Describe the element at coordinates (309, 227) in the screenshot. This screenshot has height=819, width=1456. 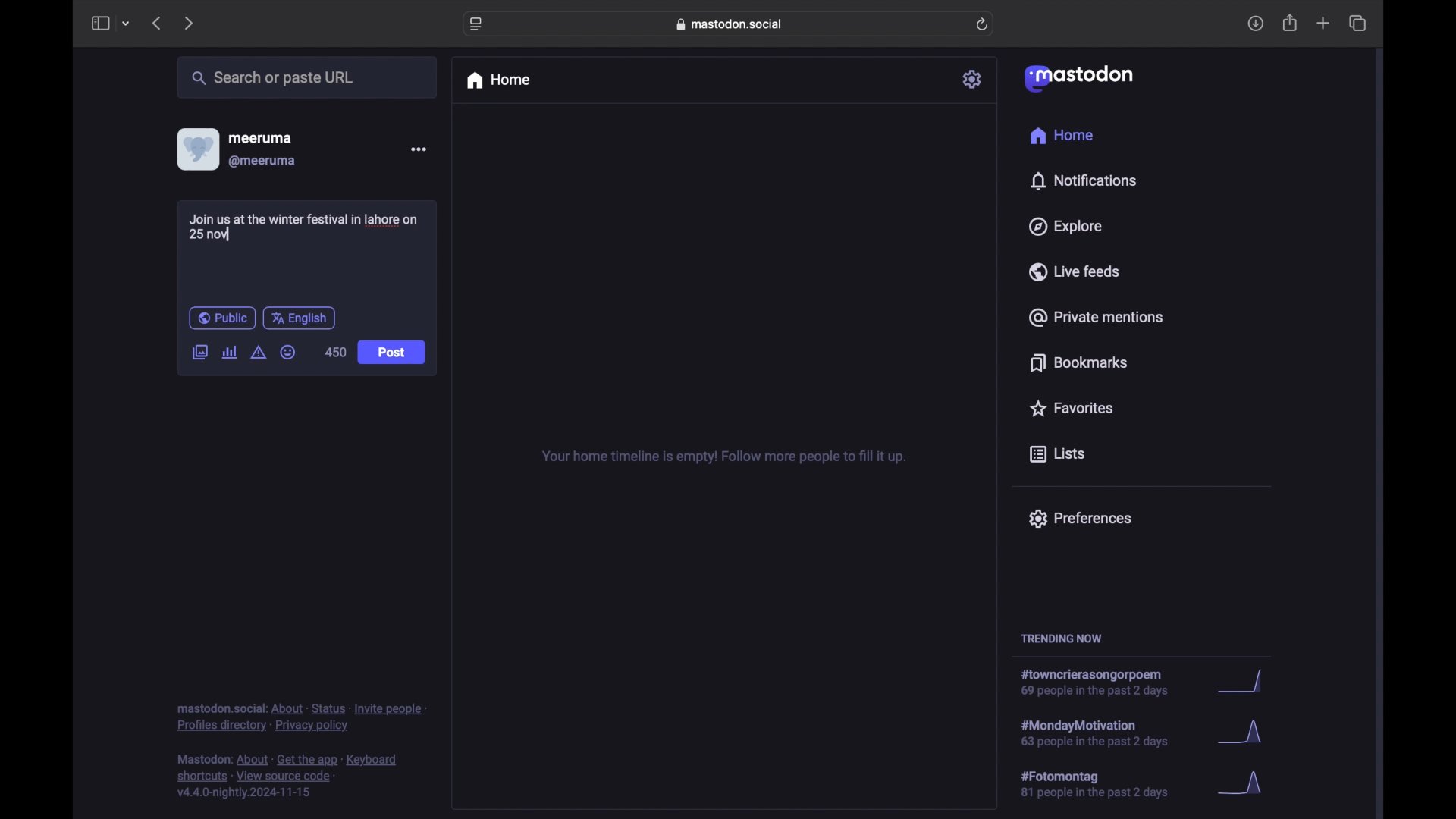
I see `Join us at the winter festival in lahore on 25` at that location.